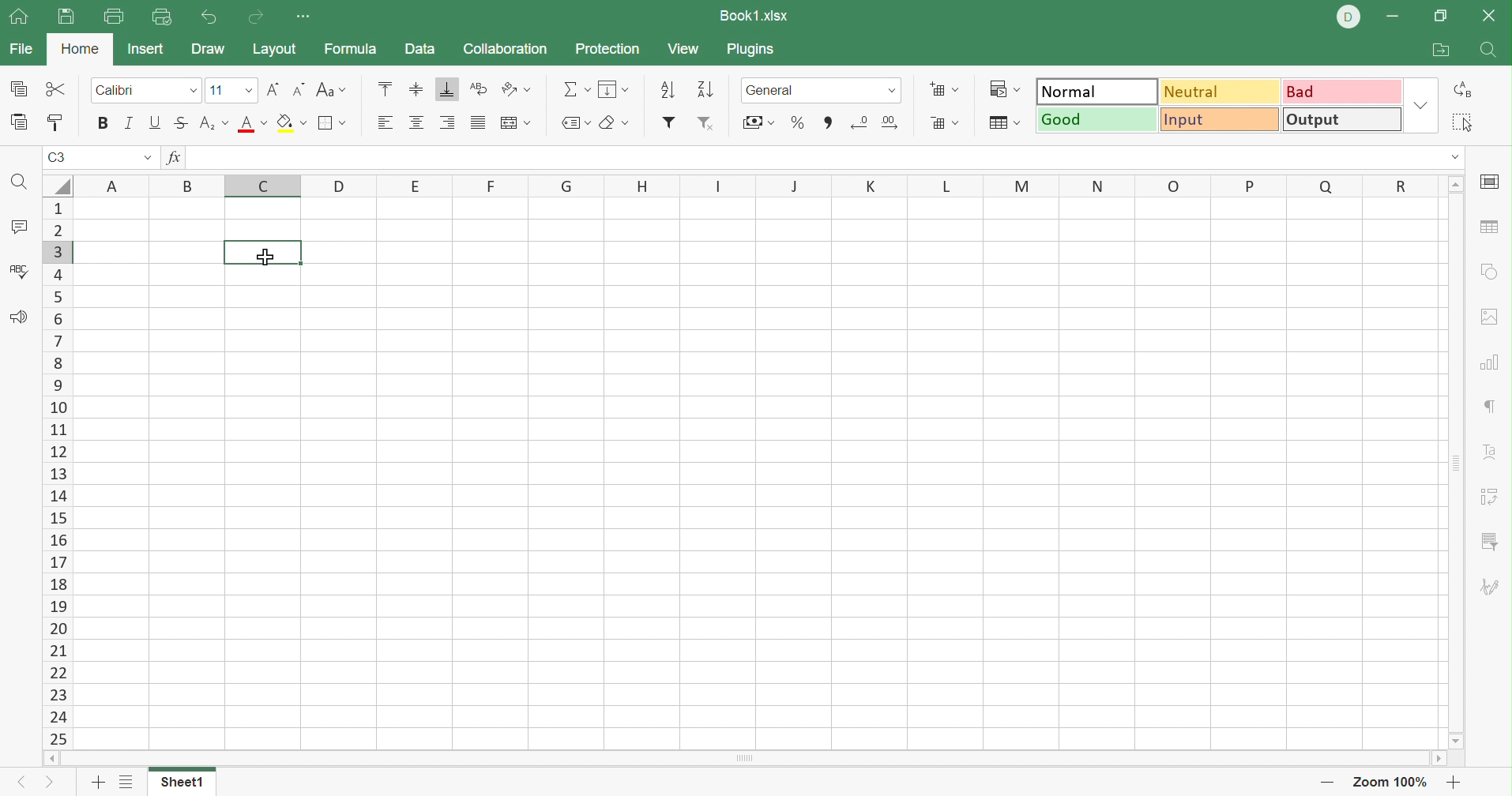 The width and height of the screenshot is (1512, 796). What do you see at coordinates (1465, 123) in the screenshot?
I see `Select all` at bounding box center [1465, 123].